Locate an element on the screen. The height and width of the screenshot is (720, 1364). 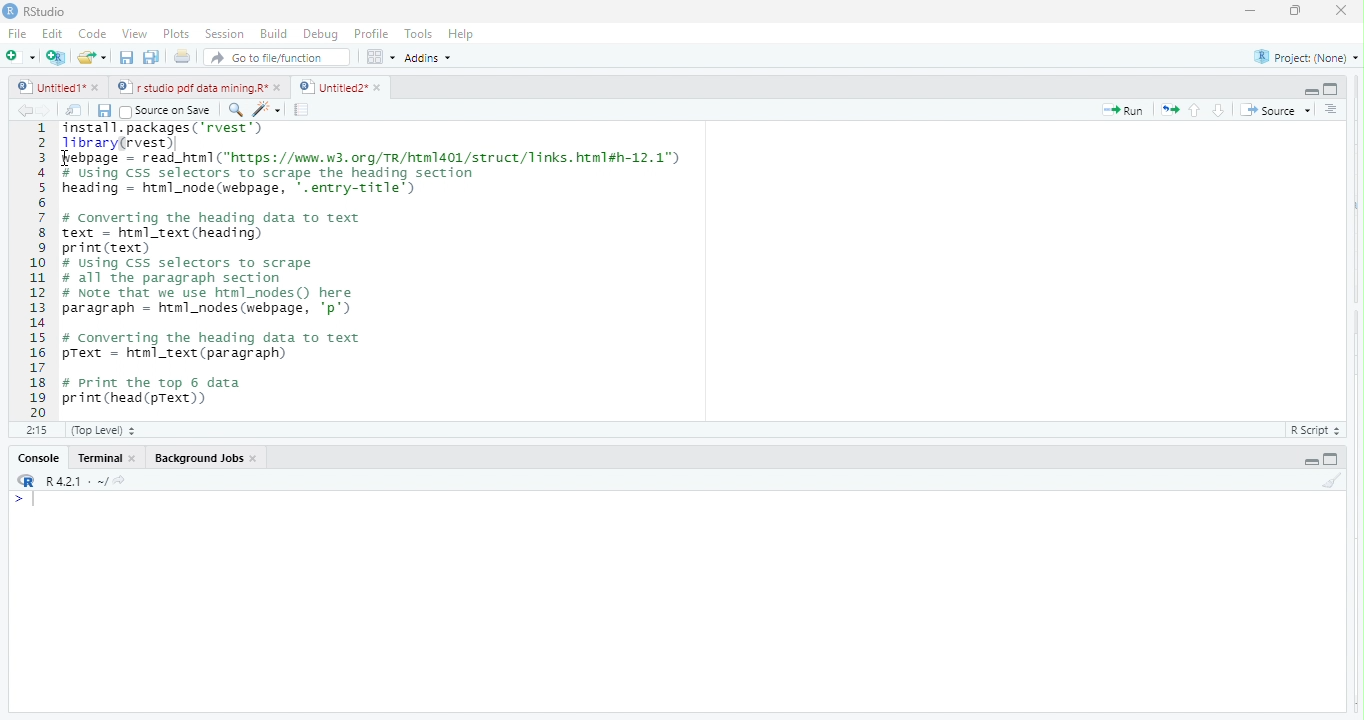
Tools is located at coordinates (420, 33).